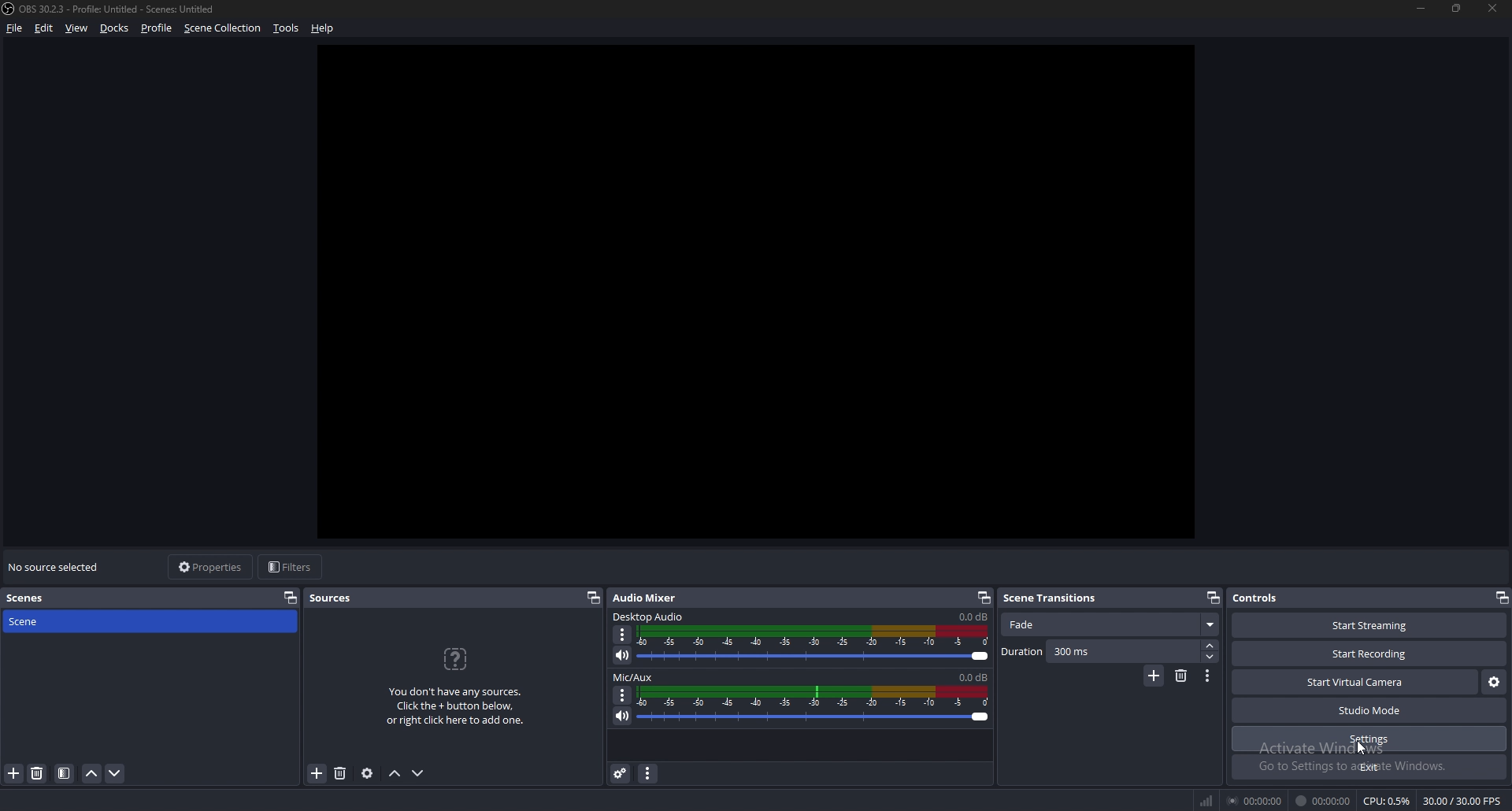  What do you see at coordinates (1325, 801) in the screenshot?
I see `00:00:00` at bounding box center [1325, 801].